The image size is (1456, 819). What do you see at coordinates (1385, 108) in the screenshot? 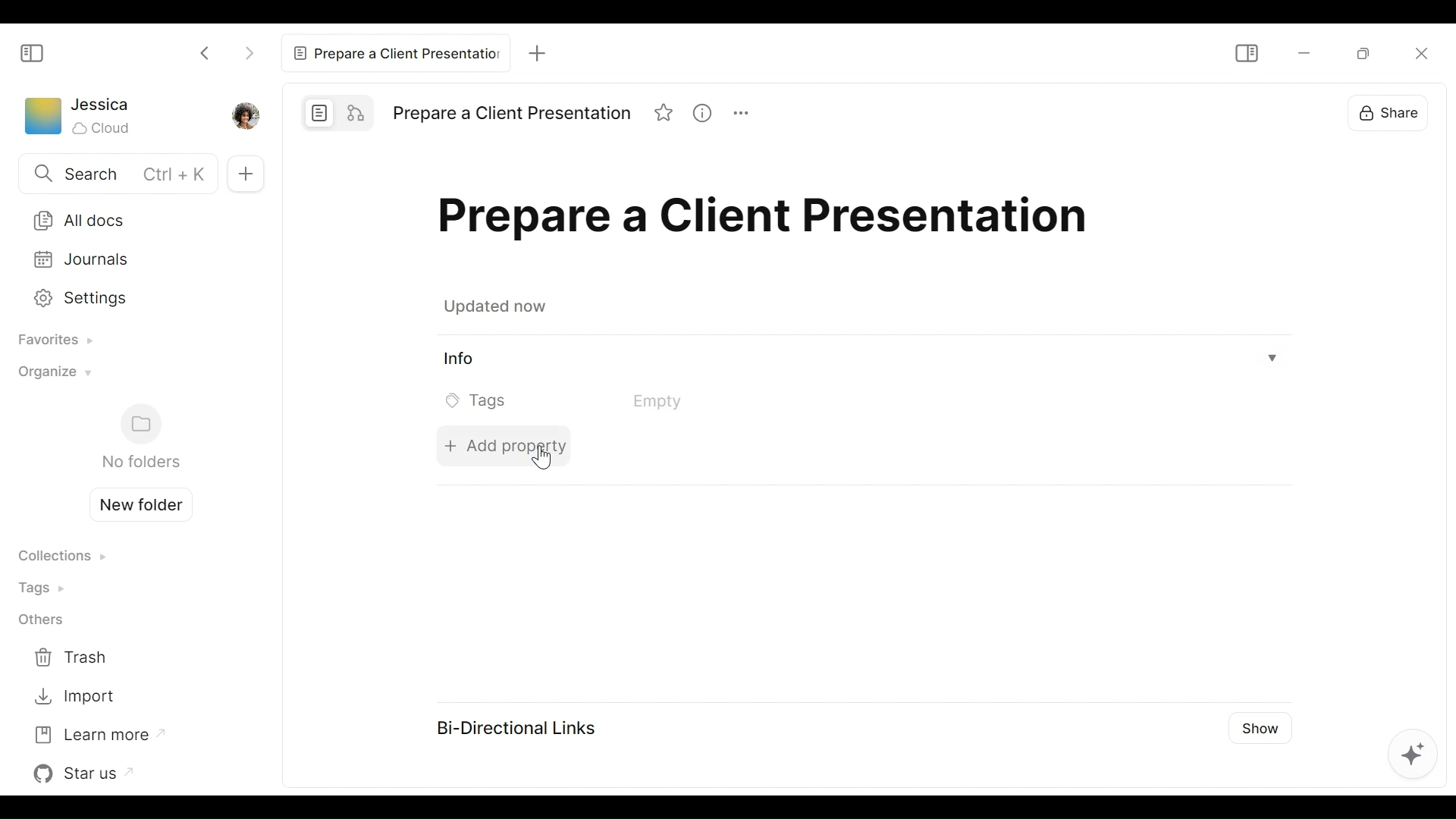
I see `Share` at bounding box center [1385, 108].